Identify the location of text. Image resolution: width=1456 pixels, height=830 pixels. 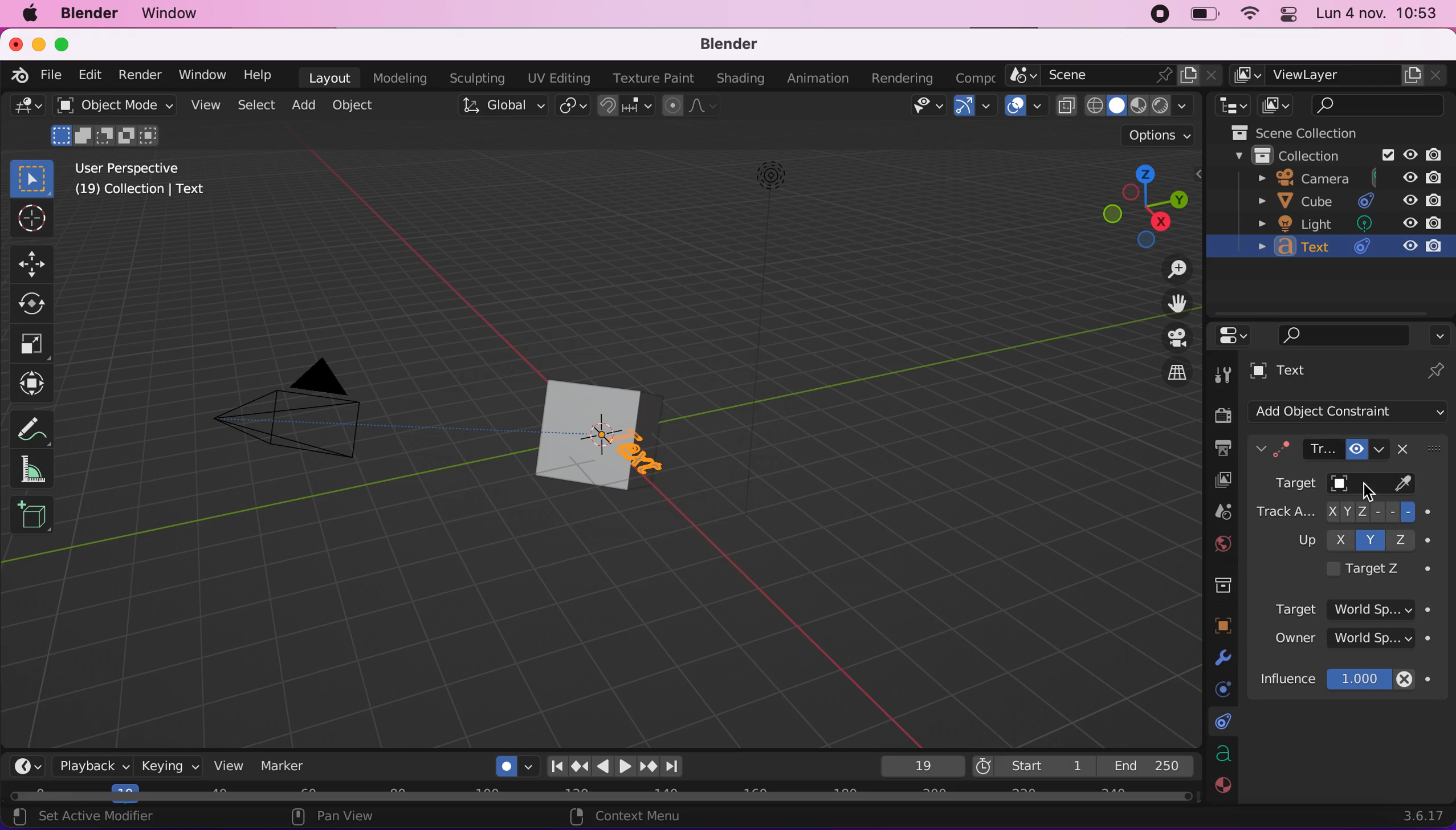
(1348, 249).